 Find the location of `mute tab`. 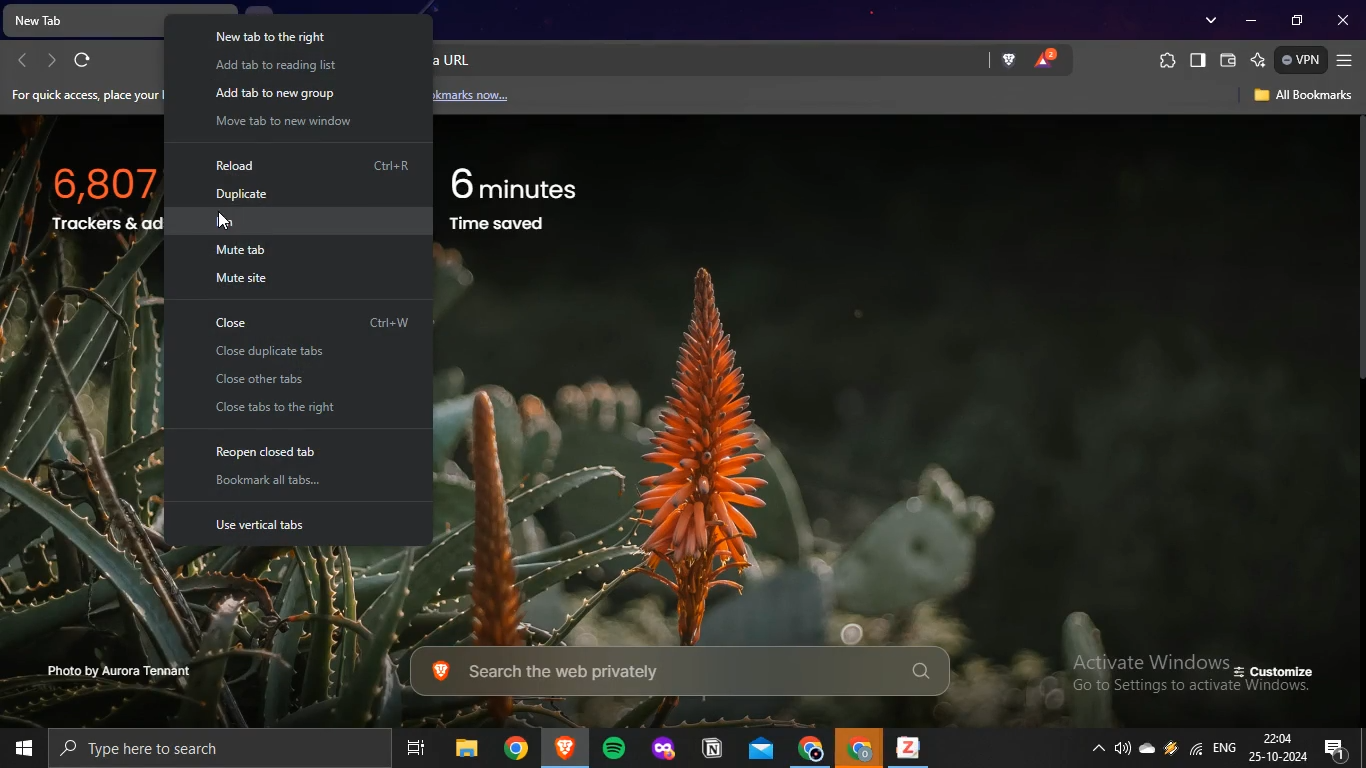

mute tab is located at coordinates (244, 249).